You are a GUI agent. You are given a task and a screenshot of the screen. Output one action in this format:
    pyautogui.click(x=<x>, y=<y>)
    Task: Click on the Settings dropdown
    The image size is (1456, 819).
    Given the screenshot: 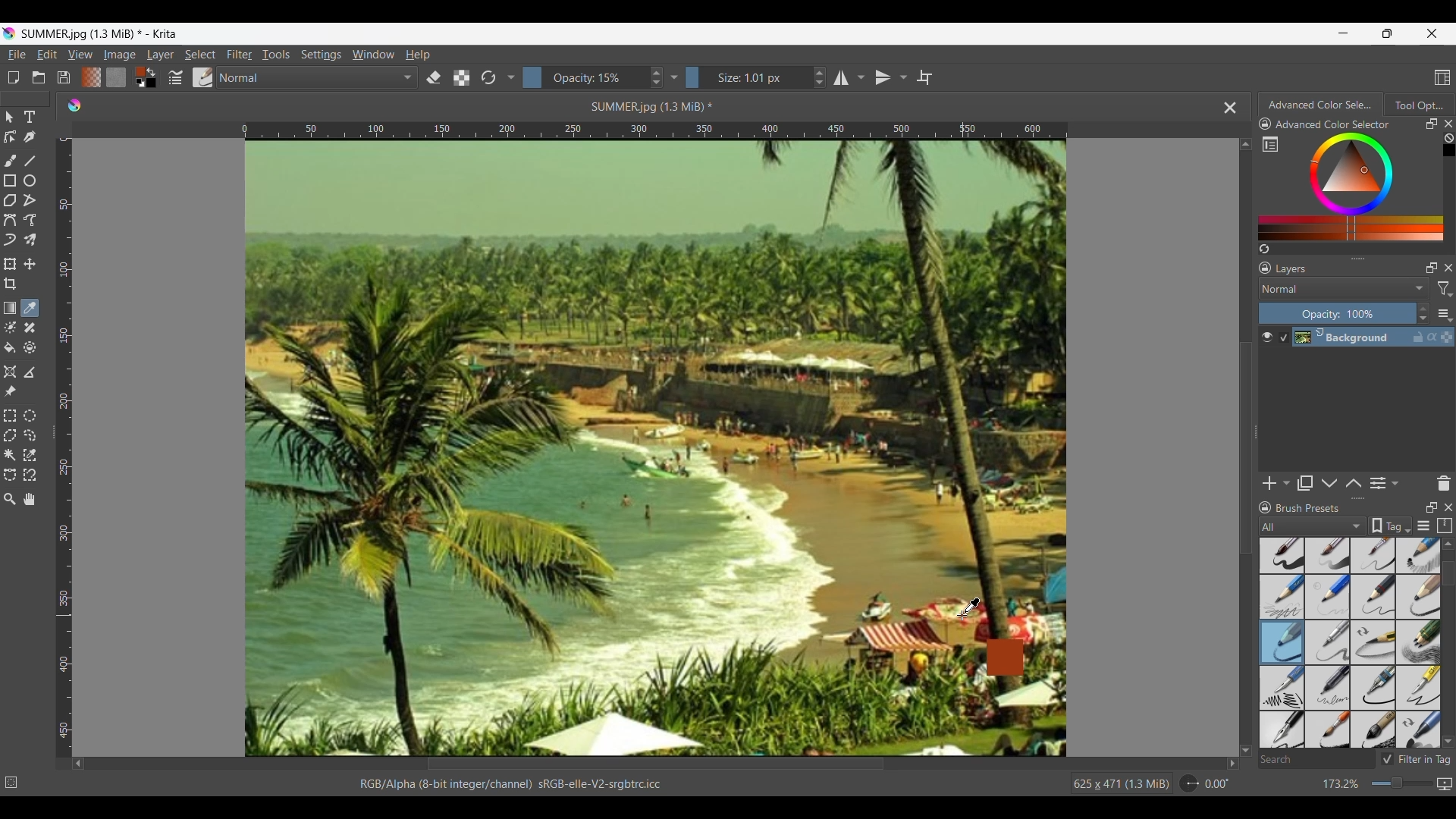 What is the action you would take?
    pyautogui.click(x=510, y=77)
    